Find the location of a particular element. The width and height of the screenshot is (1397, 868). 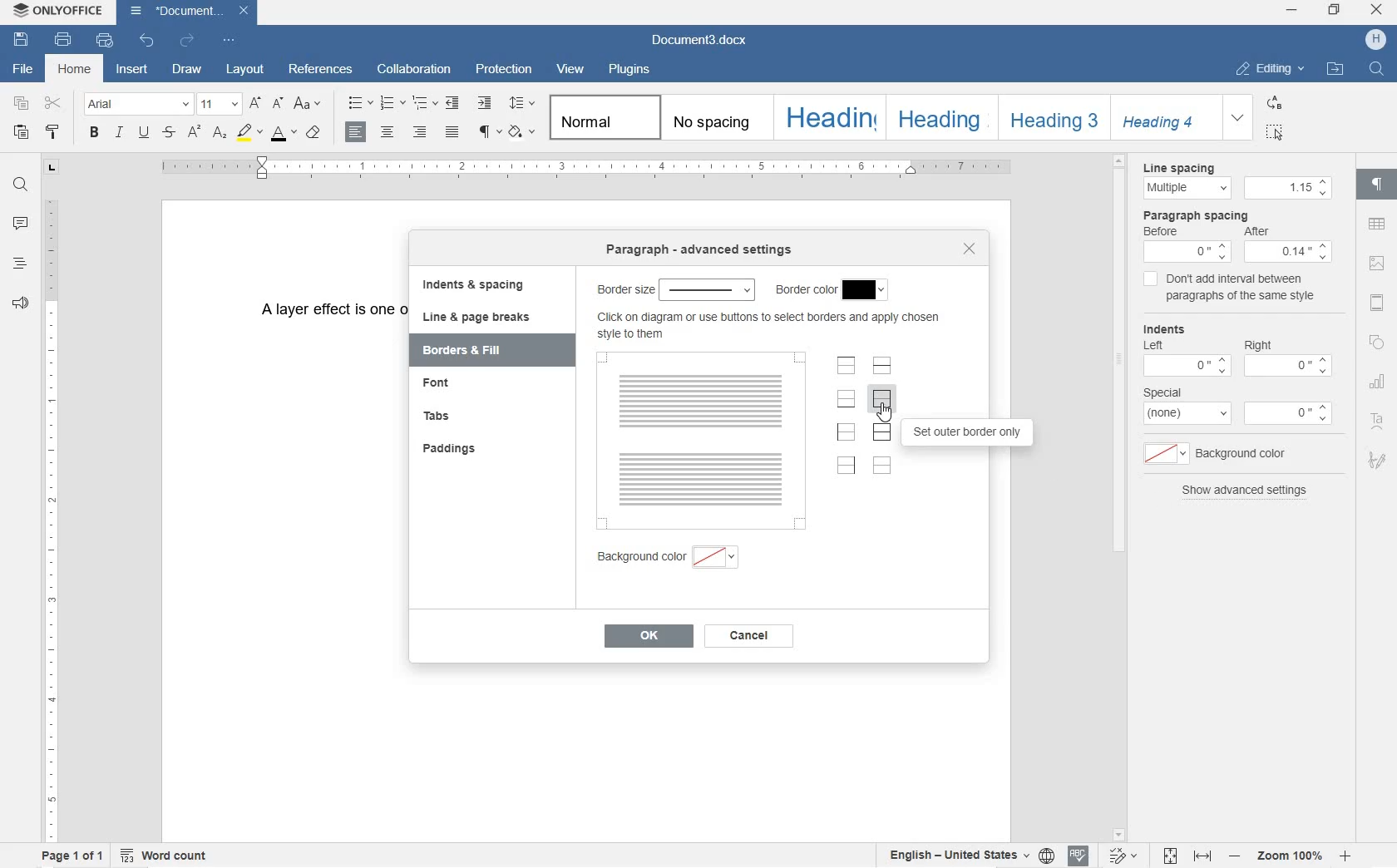

paddings is located at coordinates (470, 450).